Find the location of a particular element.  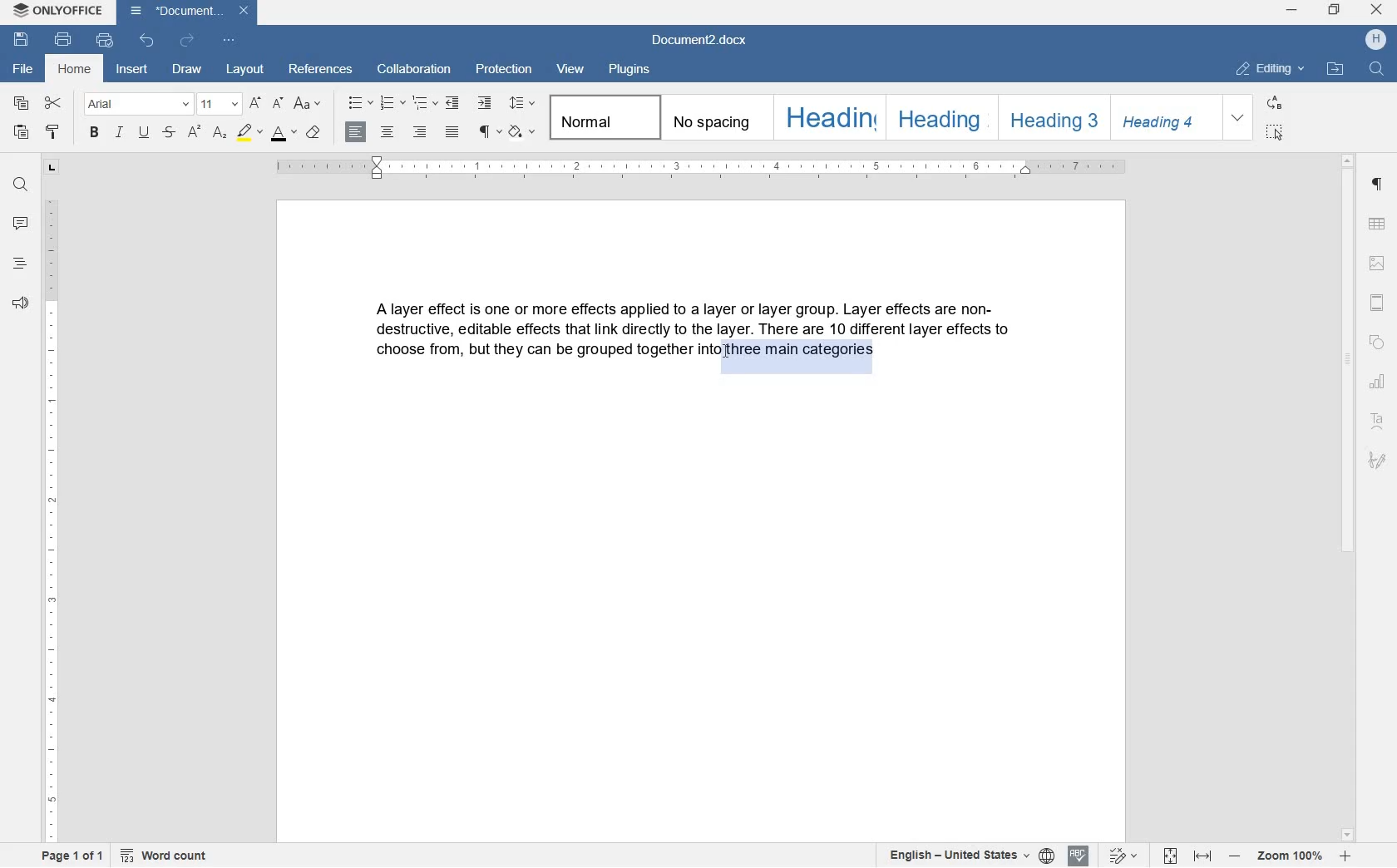

text change is located at coordinates (1120, 856).